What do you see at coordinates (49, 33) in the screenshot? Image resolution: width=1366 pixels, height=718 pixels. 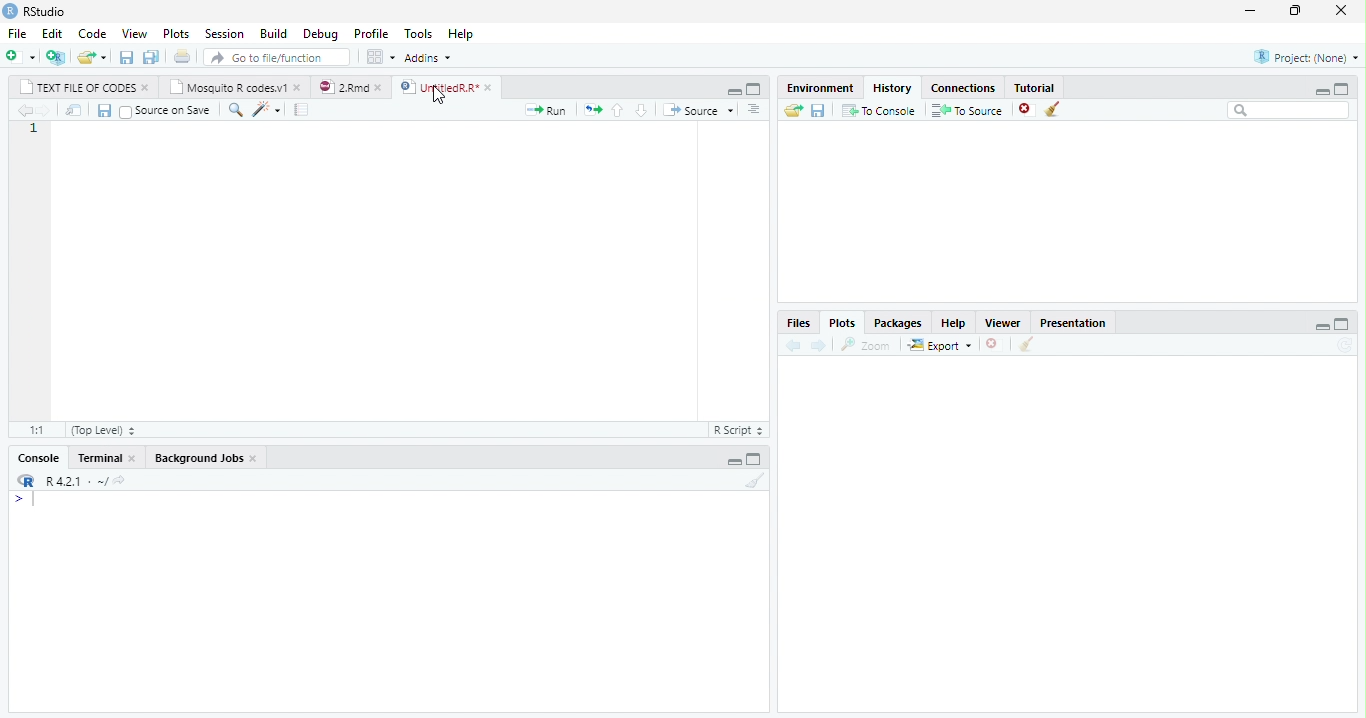 I see `edit` at bounding box center [49, 33].